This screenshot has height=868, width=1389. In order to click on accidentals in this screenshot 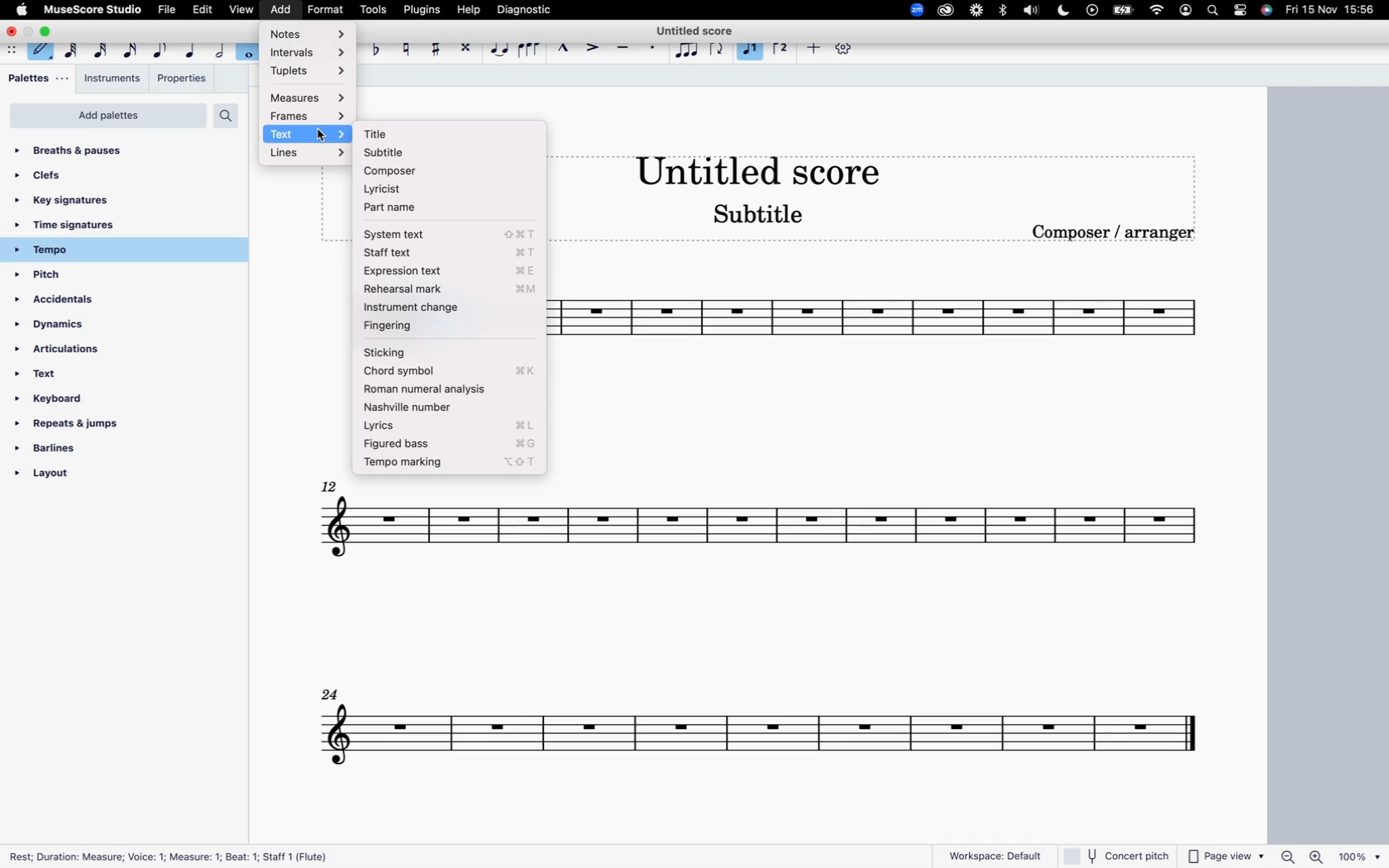, I will do `click(65, 299)`.